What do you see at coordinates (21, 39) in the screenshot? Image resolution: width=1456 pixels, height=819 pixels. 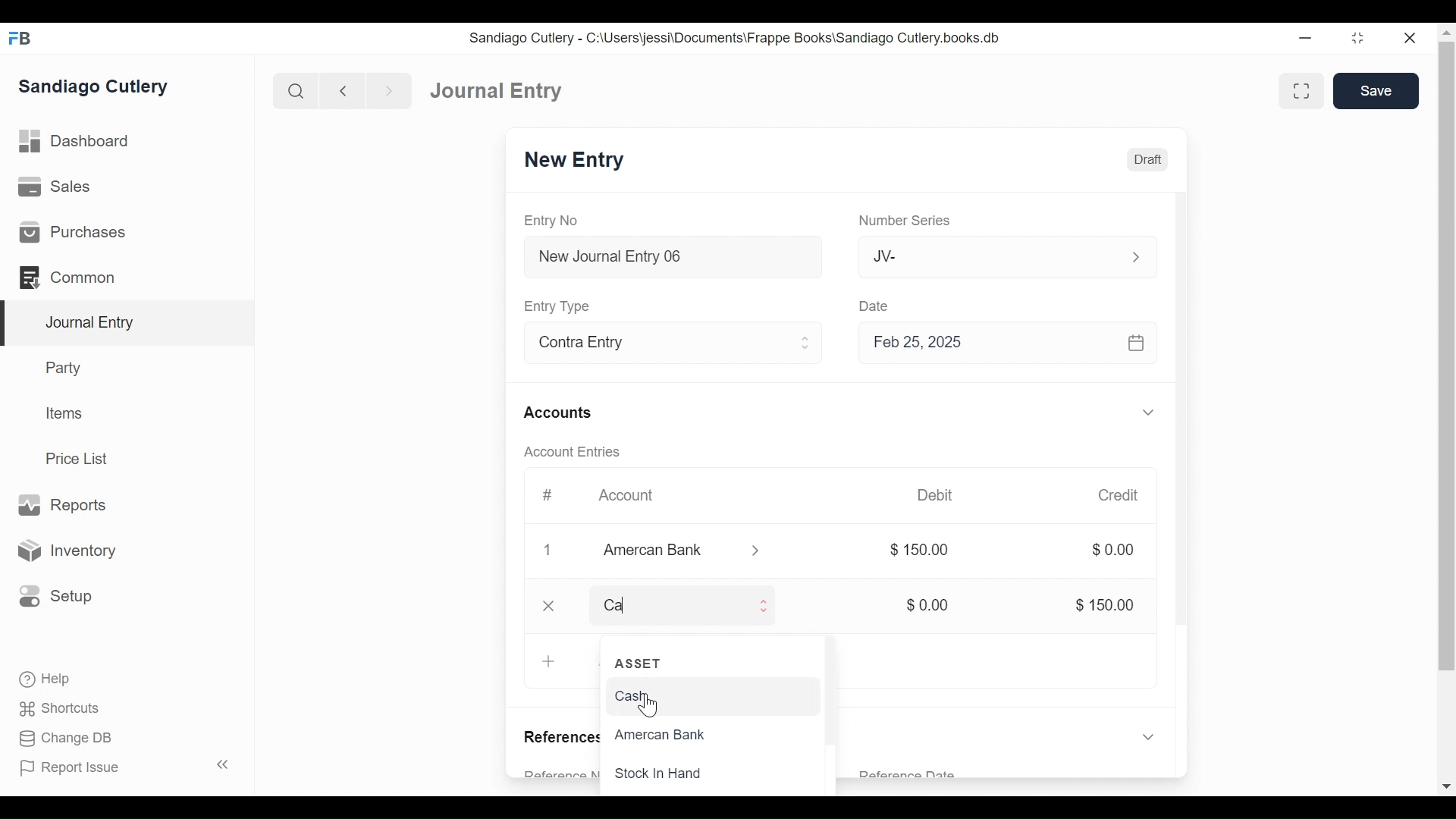 I see `Frappe Books Desktop icon` at bounding box center [21, 39].